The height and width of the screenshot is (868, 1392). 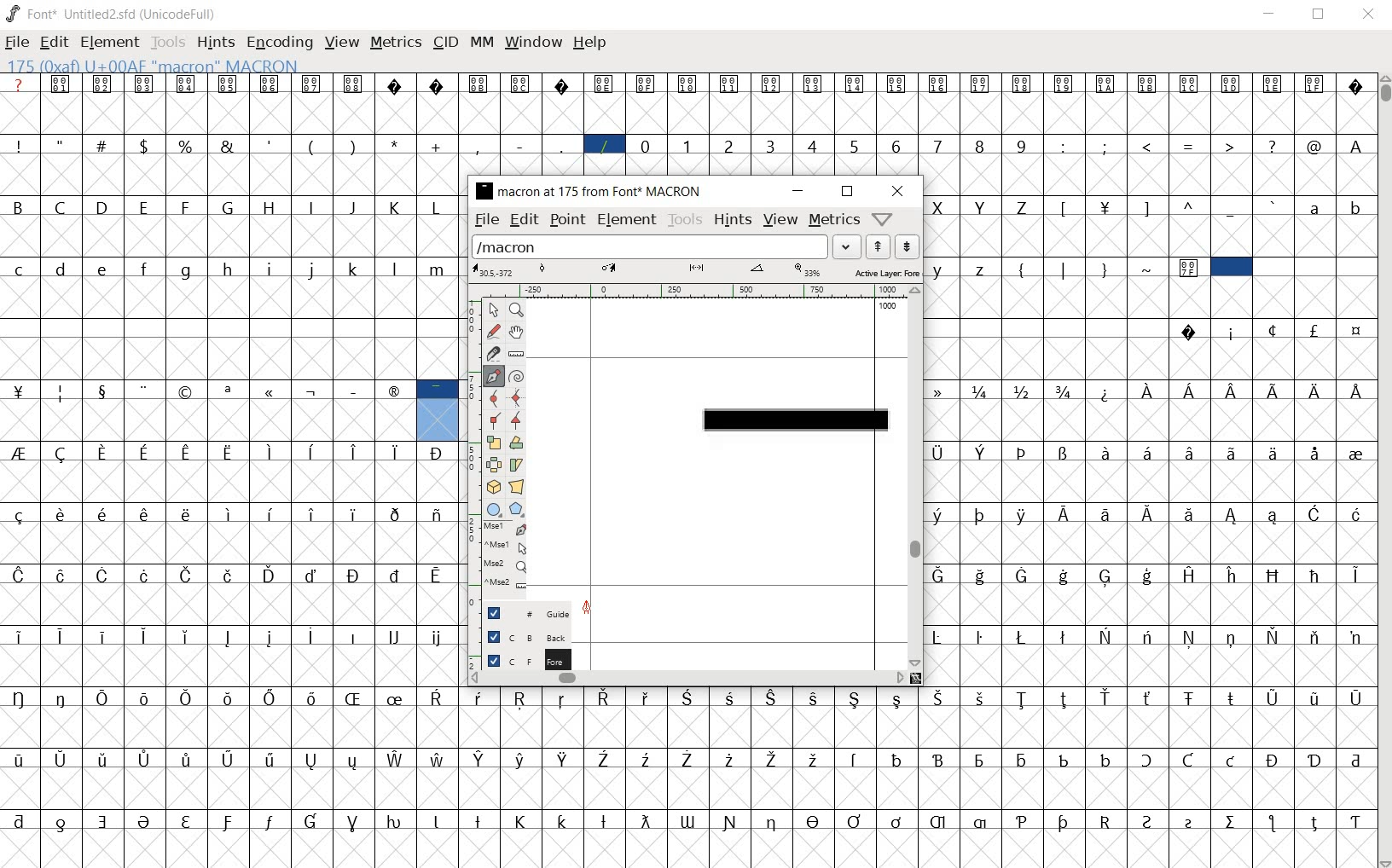 What do you see at coordinates (1190, 451) in the screenshot?
I see `Symbol` at bounding box center [1190, 451].